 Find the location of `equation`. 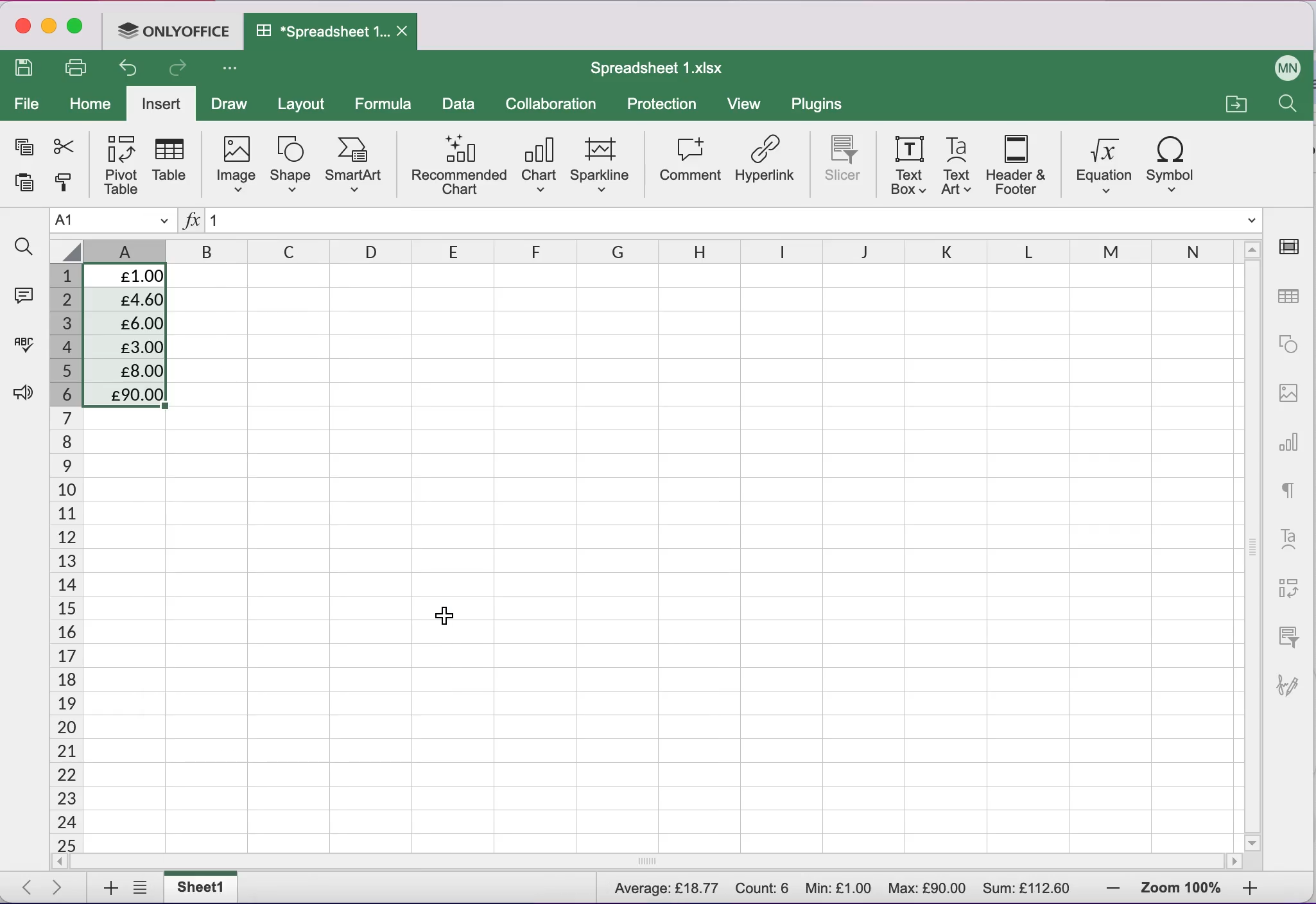

equation is located at coordinates (1100, 166).